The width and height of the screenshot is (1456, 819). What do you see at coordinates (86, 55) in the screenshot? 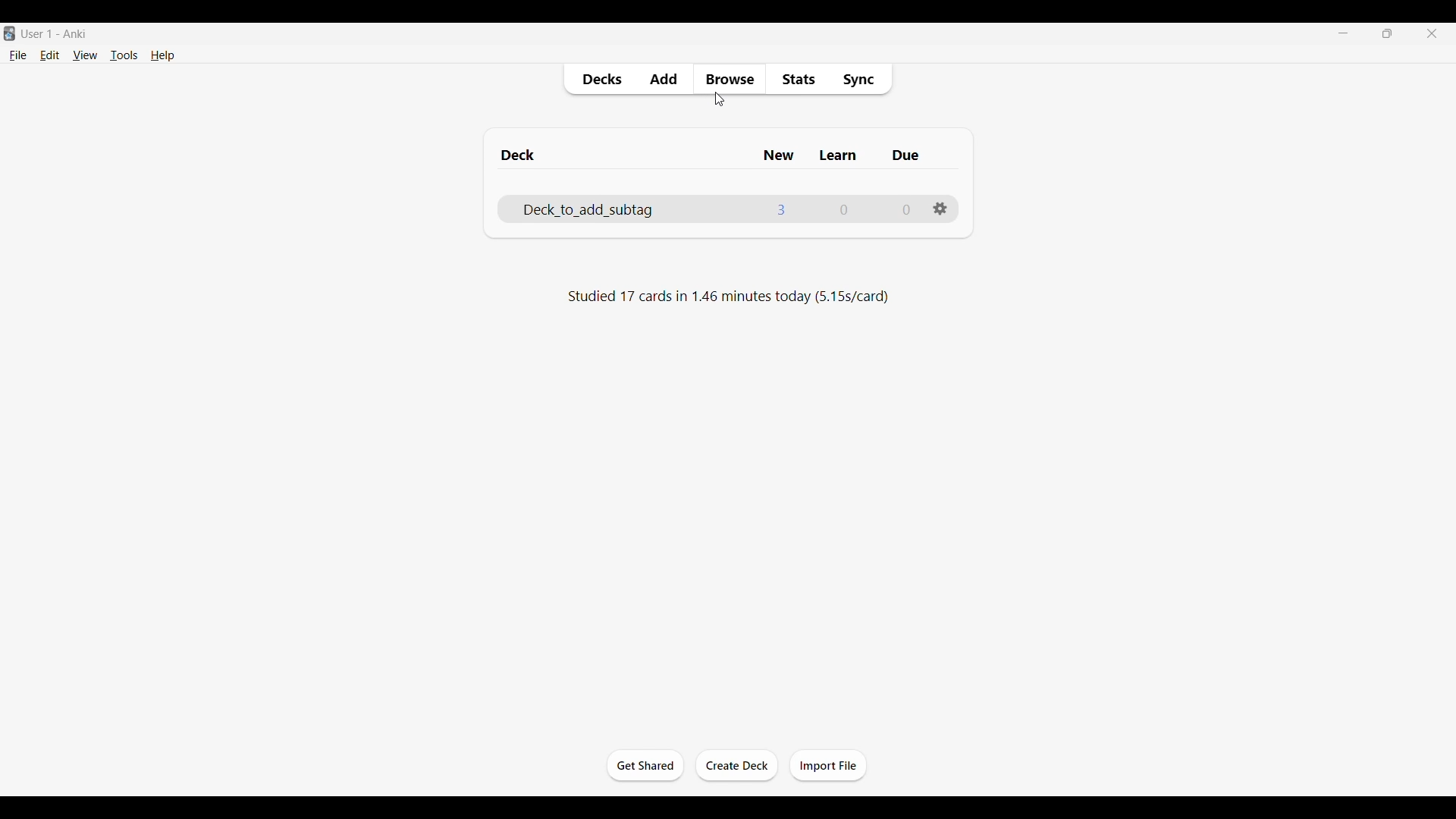
I see `View menu` at bounding box center [86, 55].